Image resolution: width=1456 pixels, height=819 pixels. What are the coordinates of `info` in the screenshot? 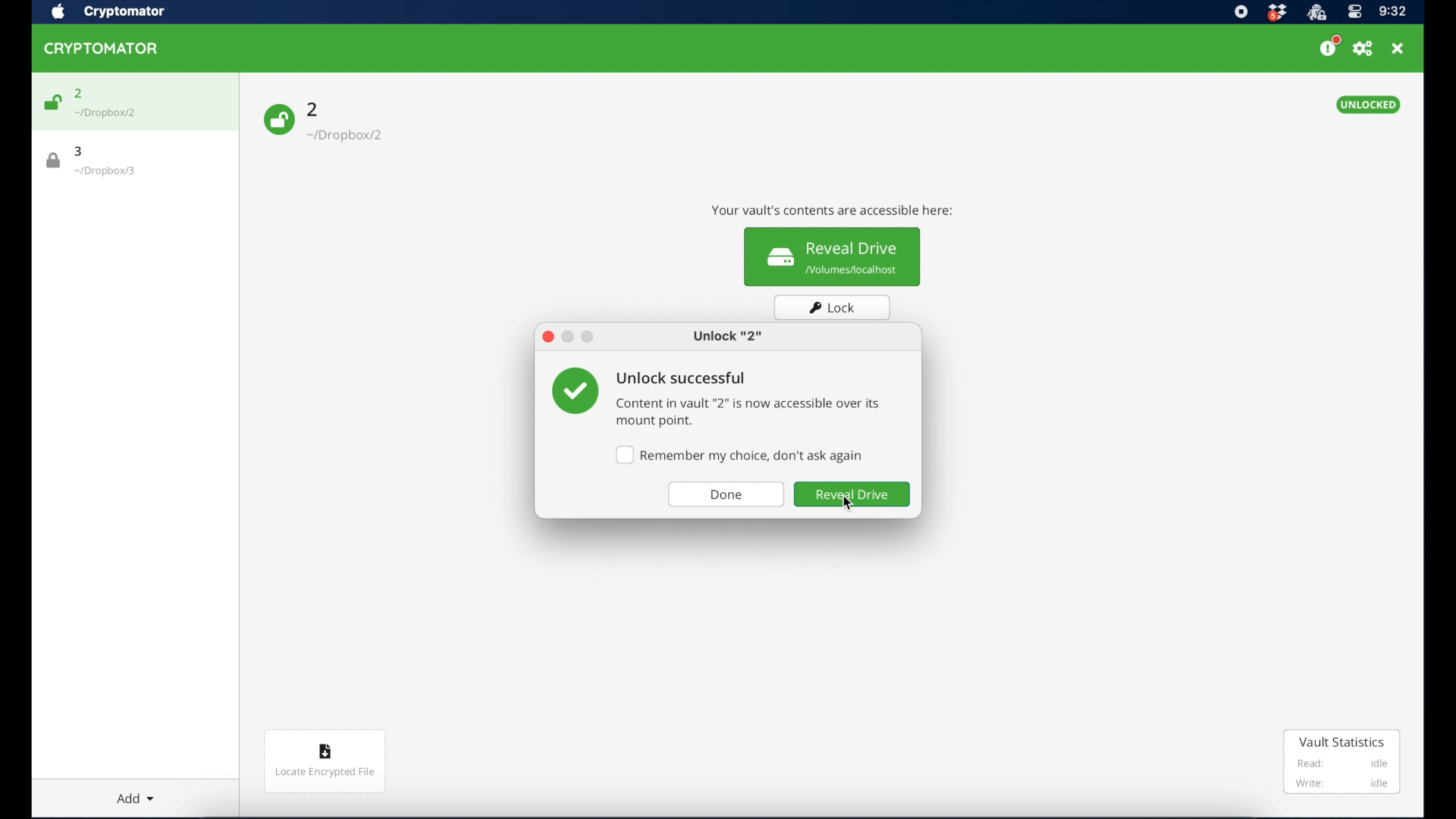 It's located at (751, 414).